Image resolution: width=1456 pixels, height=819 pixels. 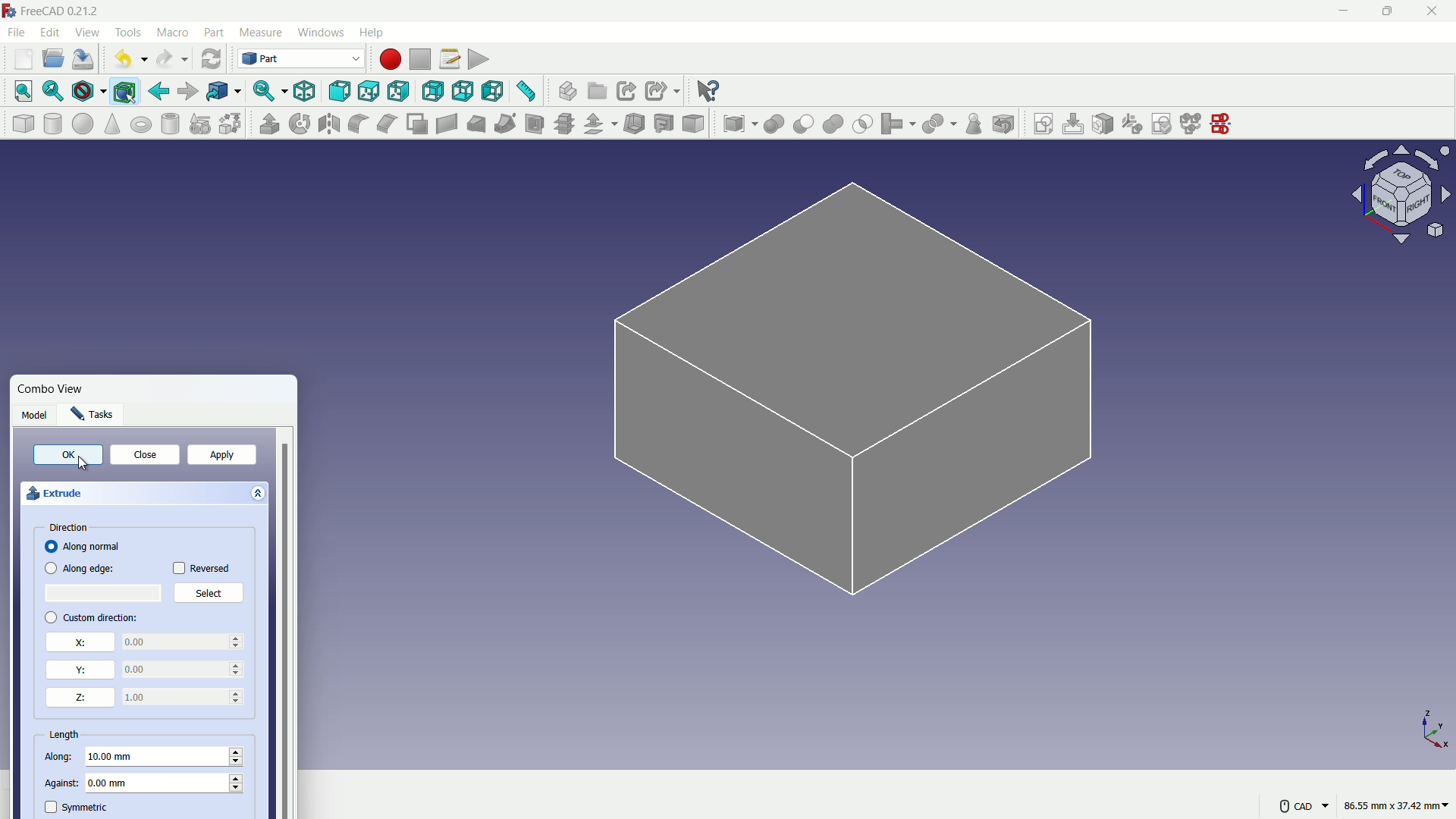 I want to click on cone, so click(x=113, y=123).